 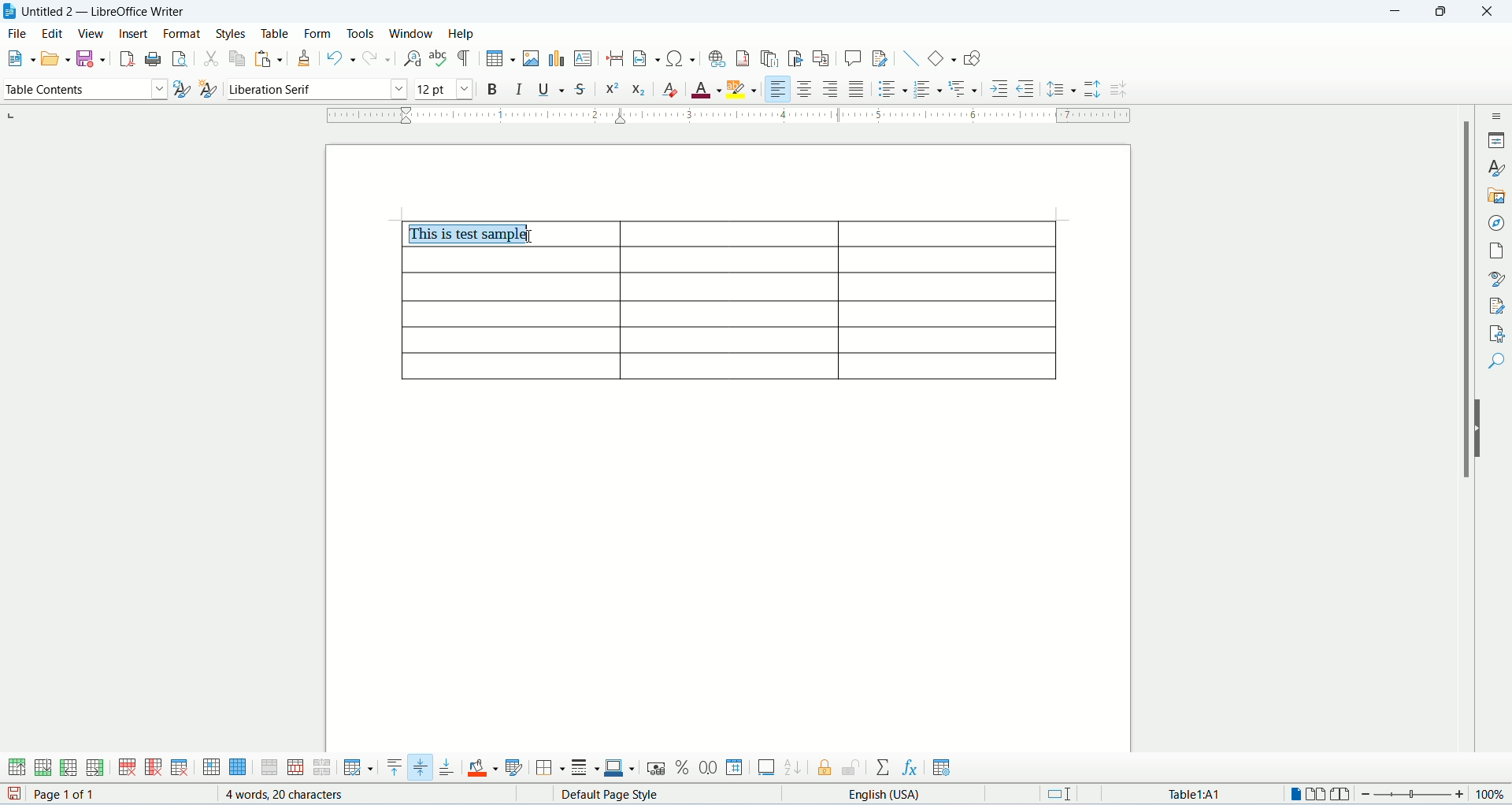 What do you see at coordinates (965, 89) in the screenshot?
I see `outline format` at bounding box center [965, 89].